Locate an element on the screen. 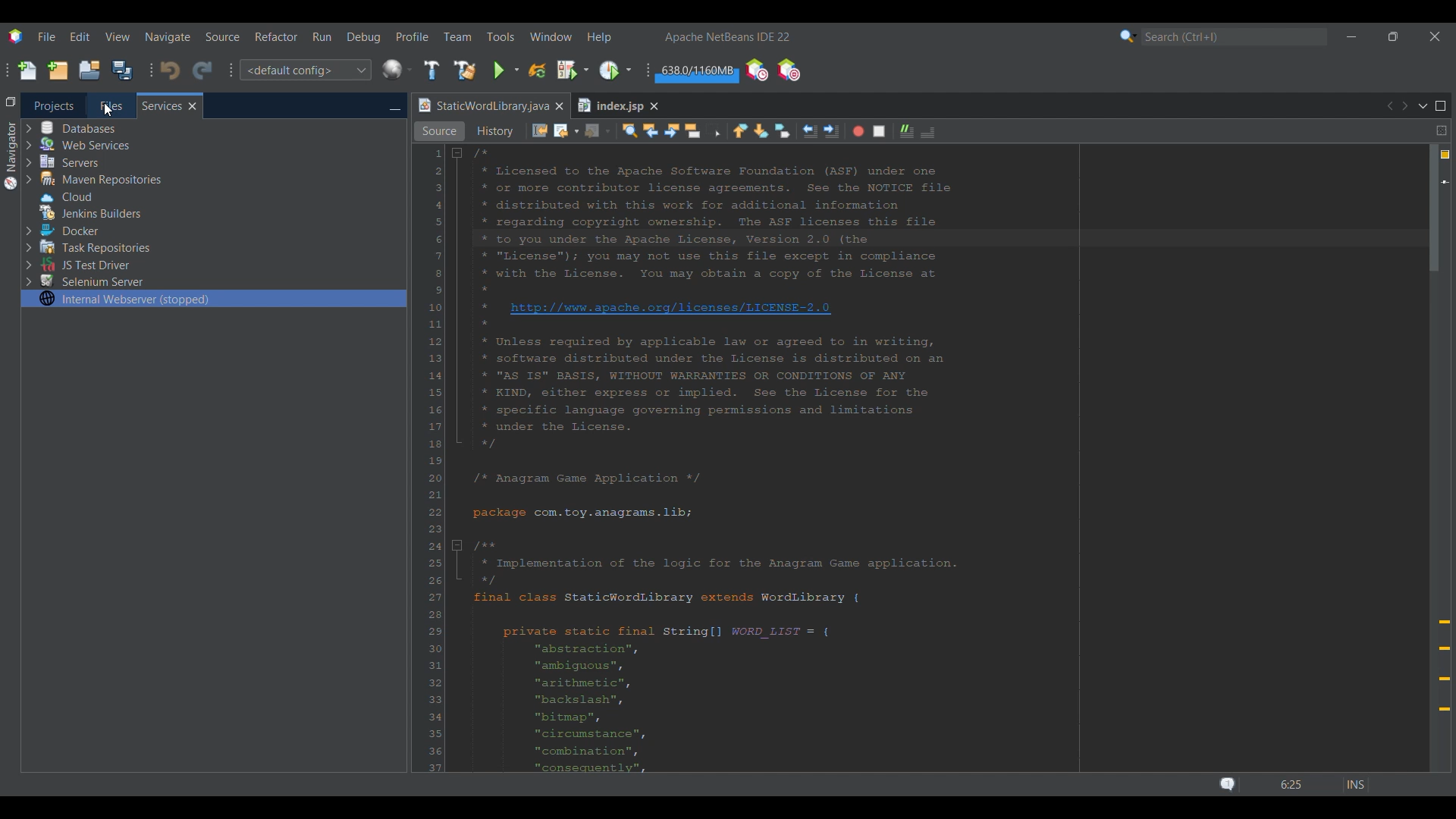 Image resolution: width=1456 pixels, height=819 pixels. Current tab highlighted is located at coordinates (482, 106).